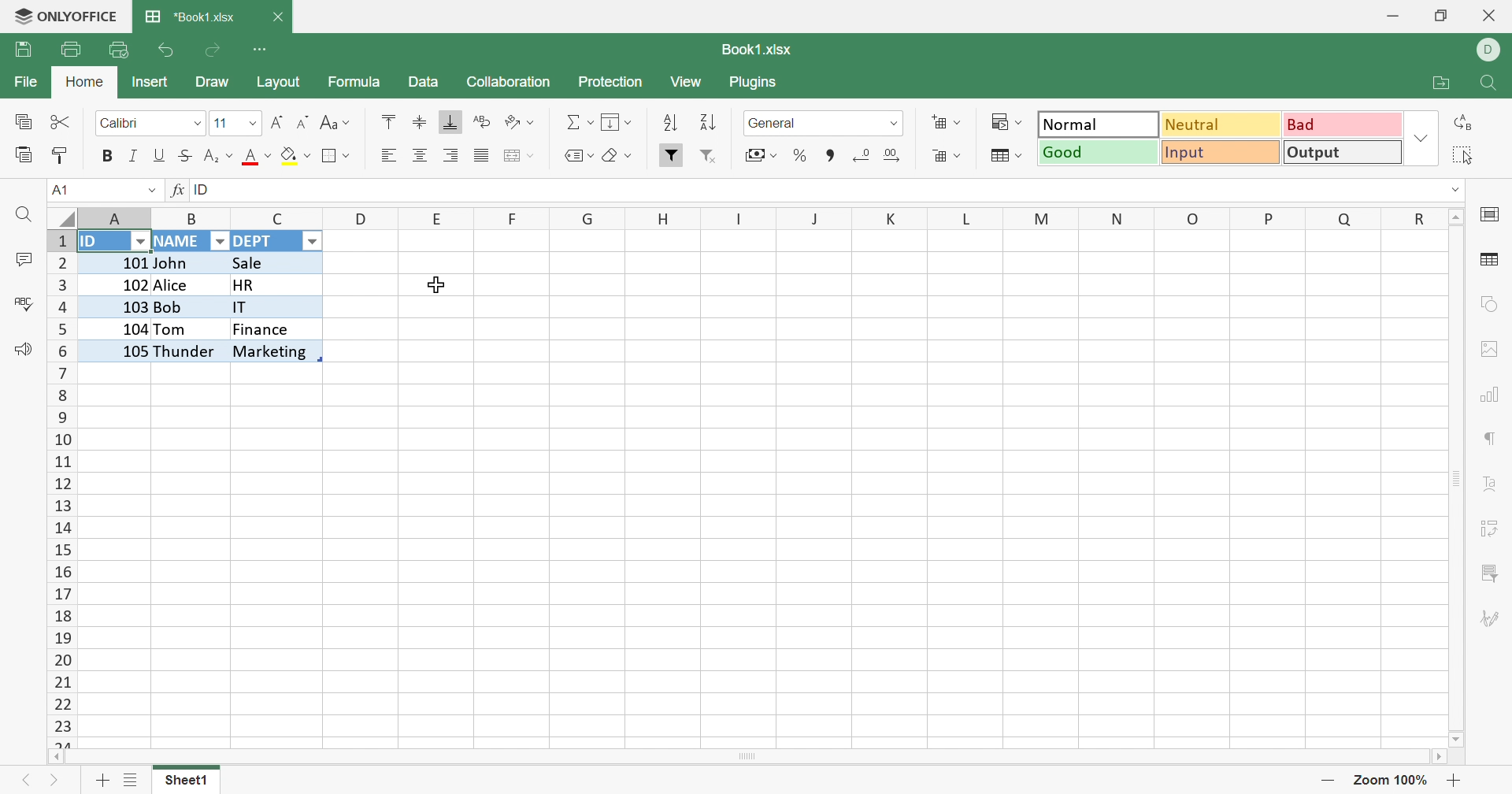 This screenshot has width=1512, height=794. I want to click on Scroll Left, so click(54, 757).